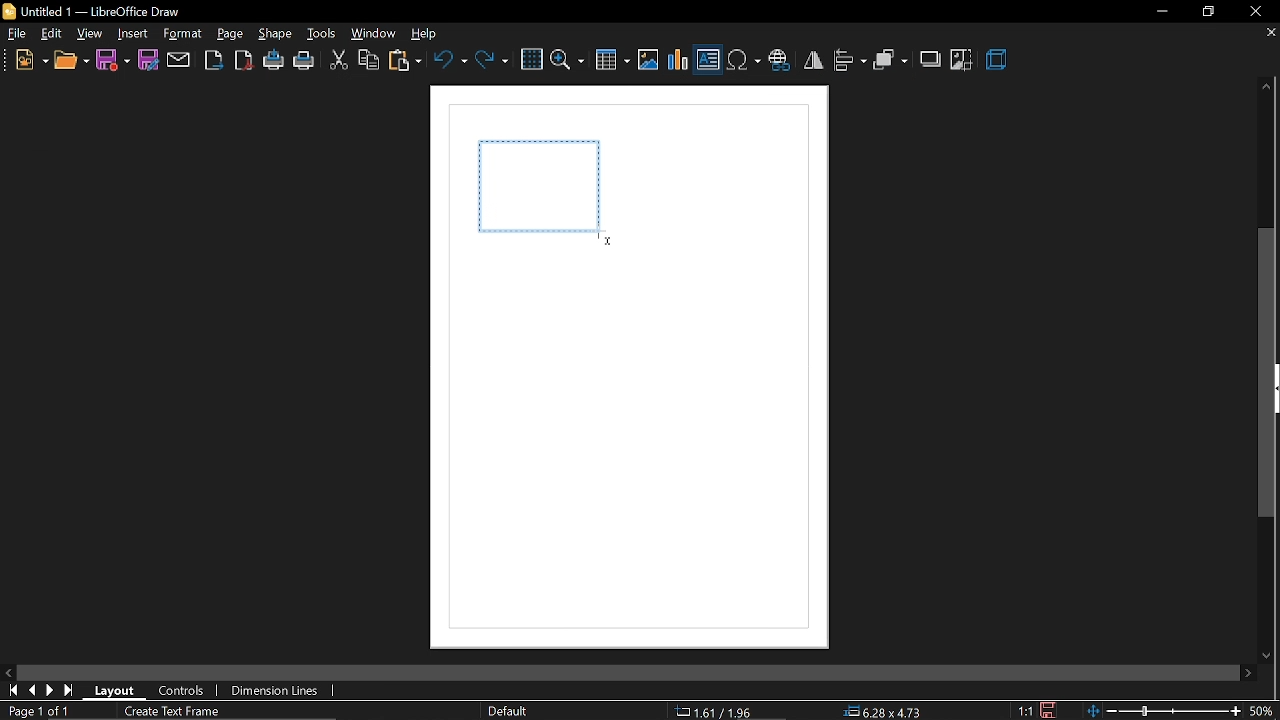  I want to click on file, so click(18, 36).